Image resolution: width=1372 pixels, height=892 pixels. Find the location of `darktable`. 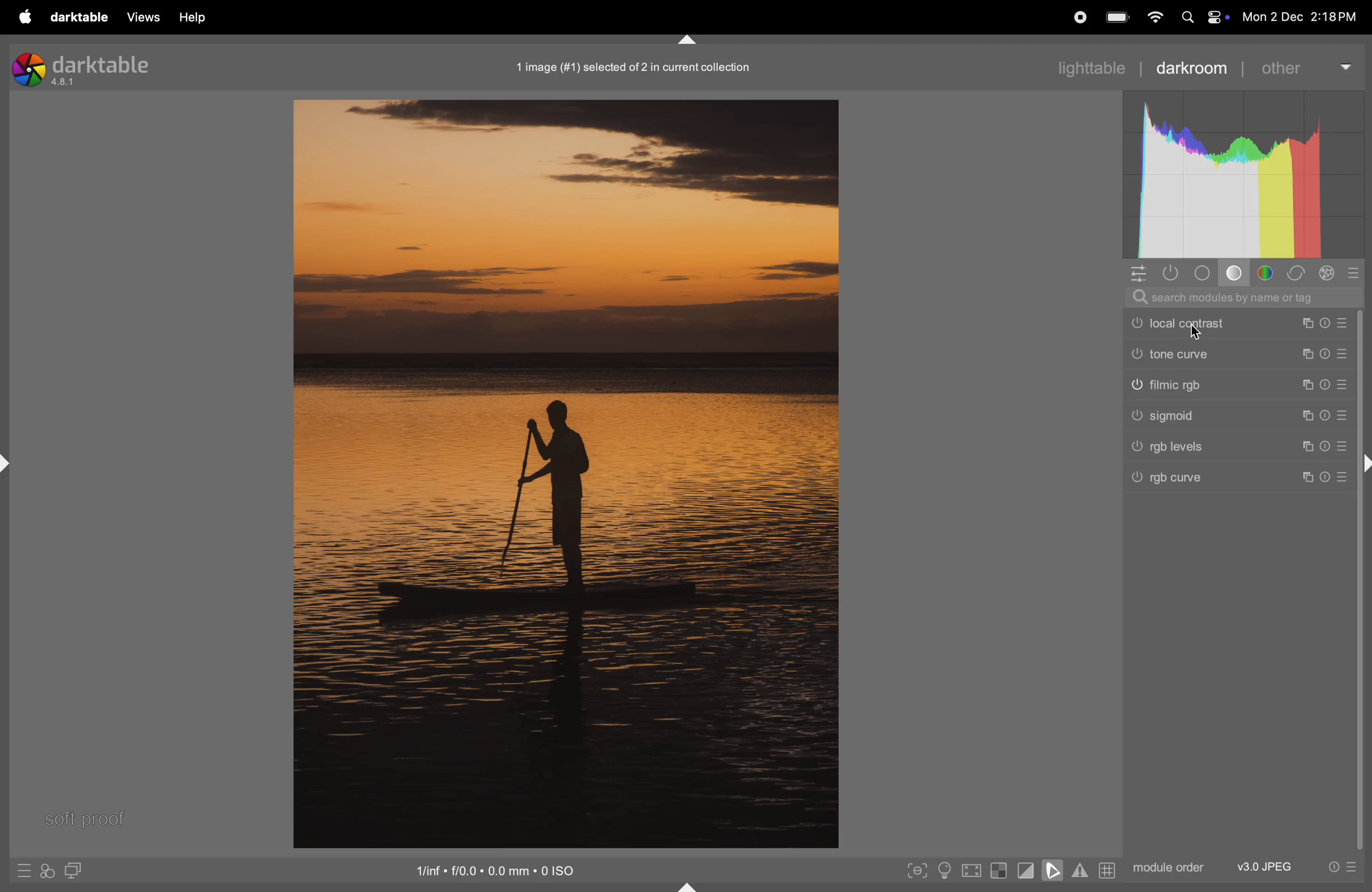

darktable is located at coordinates (79, 17).